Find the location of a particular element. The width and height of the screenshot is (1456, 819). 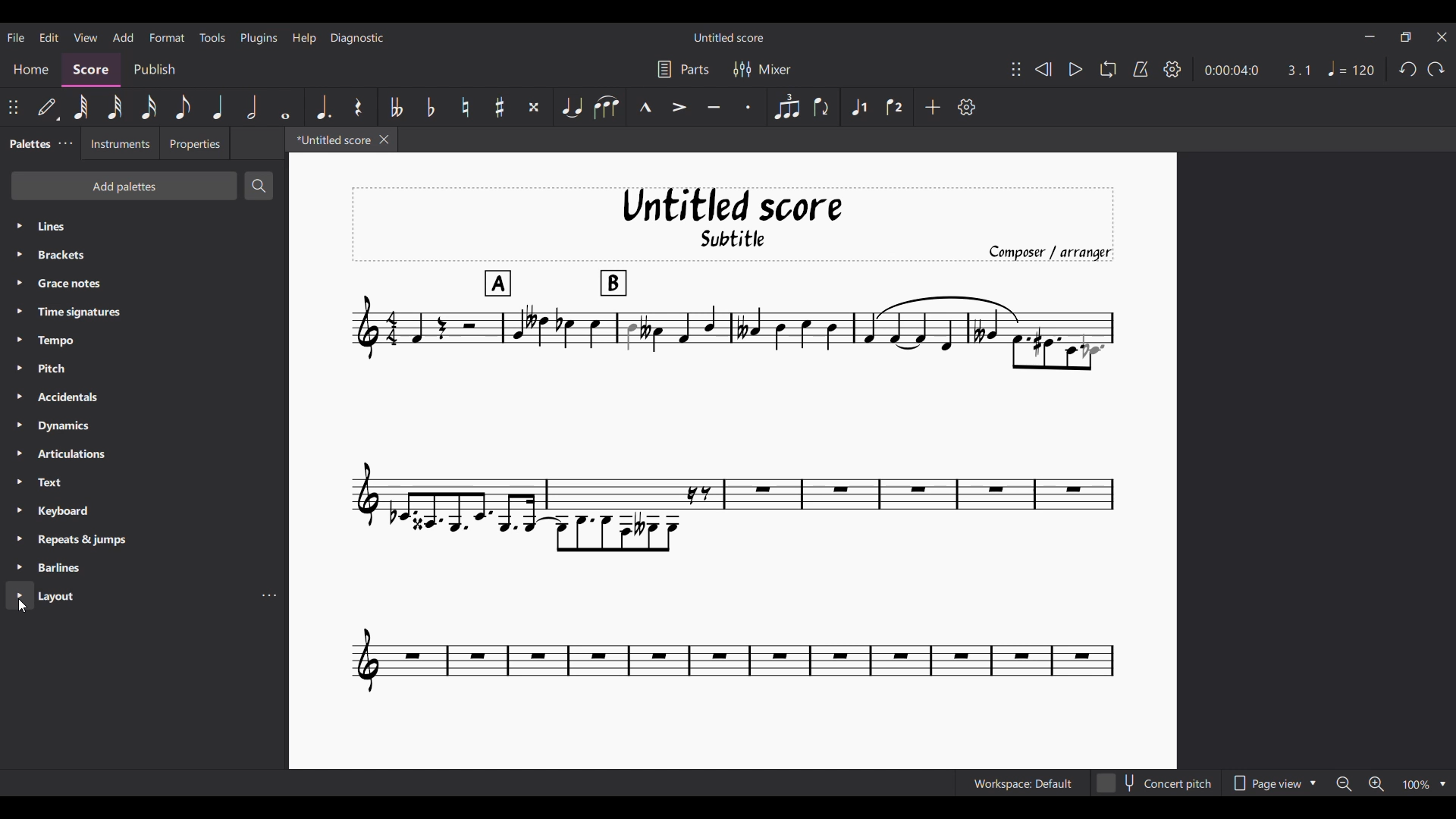

Augmentation dot is located at coordinates (322, 107).